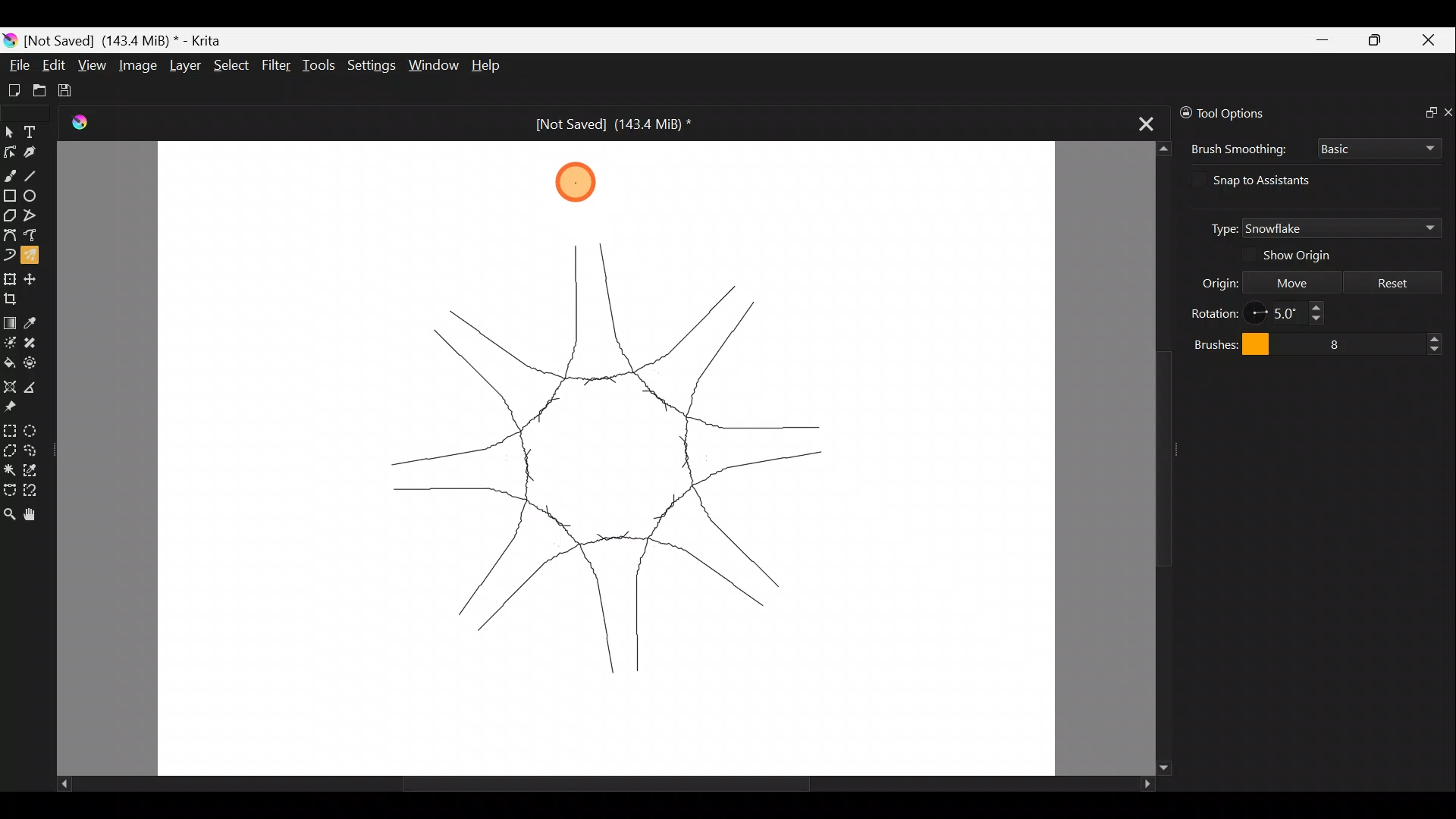 This screenshot has height=819, width=1456. What do you see at coordinates (9, 516) in the screenshot?
I see `Zoom tool` at bounding box center [9, 516].